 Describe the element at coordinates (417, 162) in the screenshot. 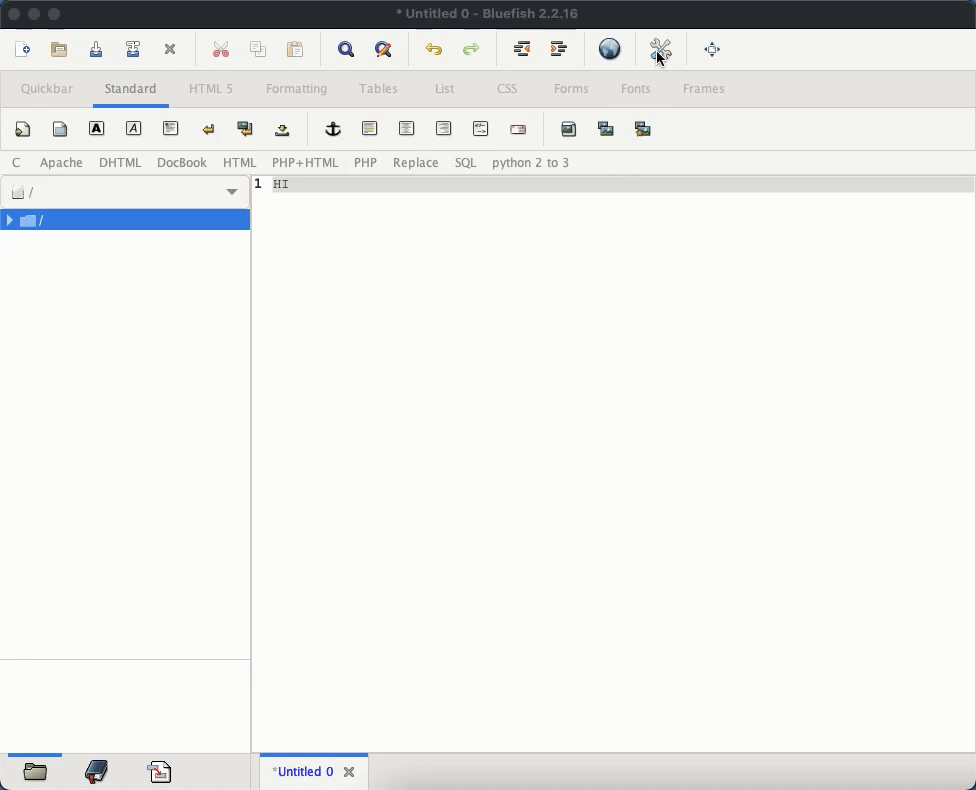

I see `replace` at that location.